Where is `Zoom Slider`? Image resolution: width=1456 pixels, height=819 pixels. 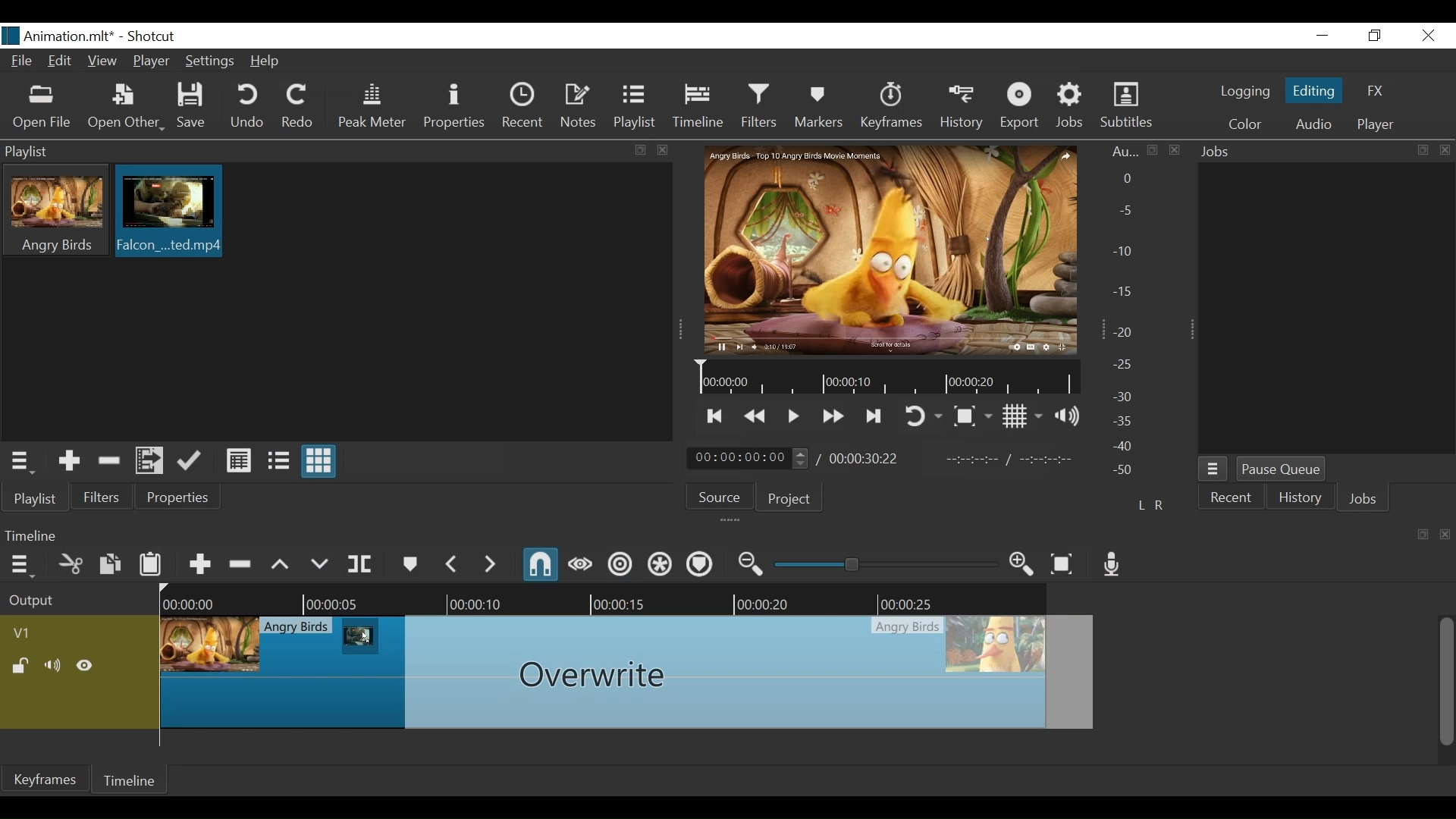 Zoom Slider is located at coordinates (886, 563).